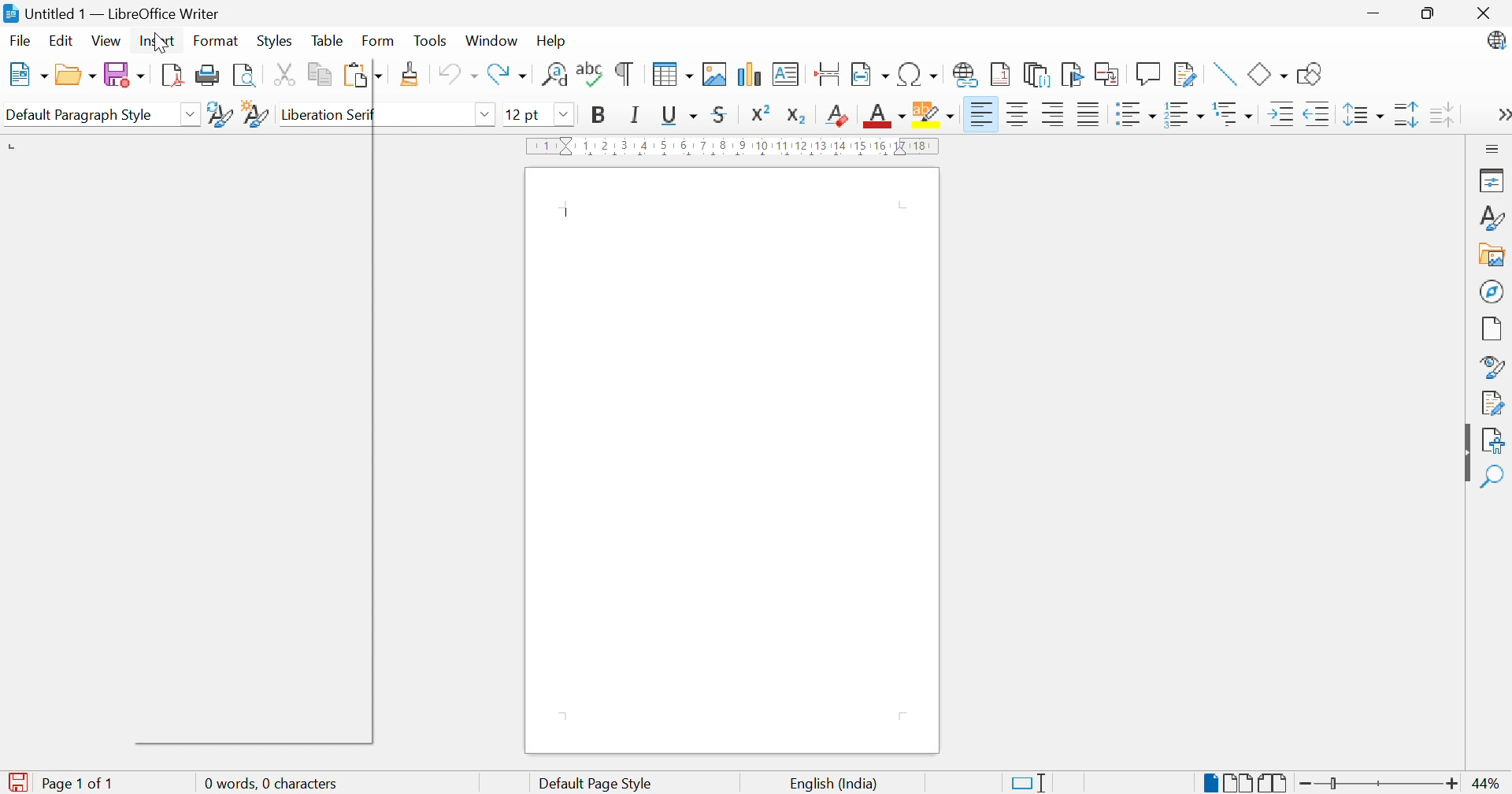 This screenshot has height=794, width=1512. What do you see at coordinates (1501, 115) in the screenshot?
I see `More` at bounding box center [1501, 115].